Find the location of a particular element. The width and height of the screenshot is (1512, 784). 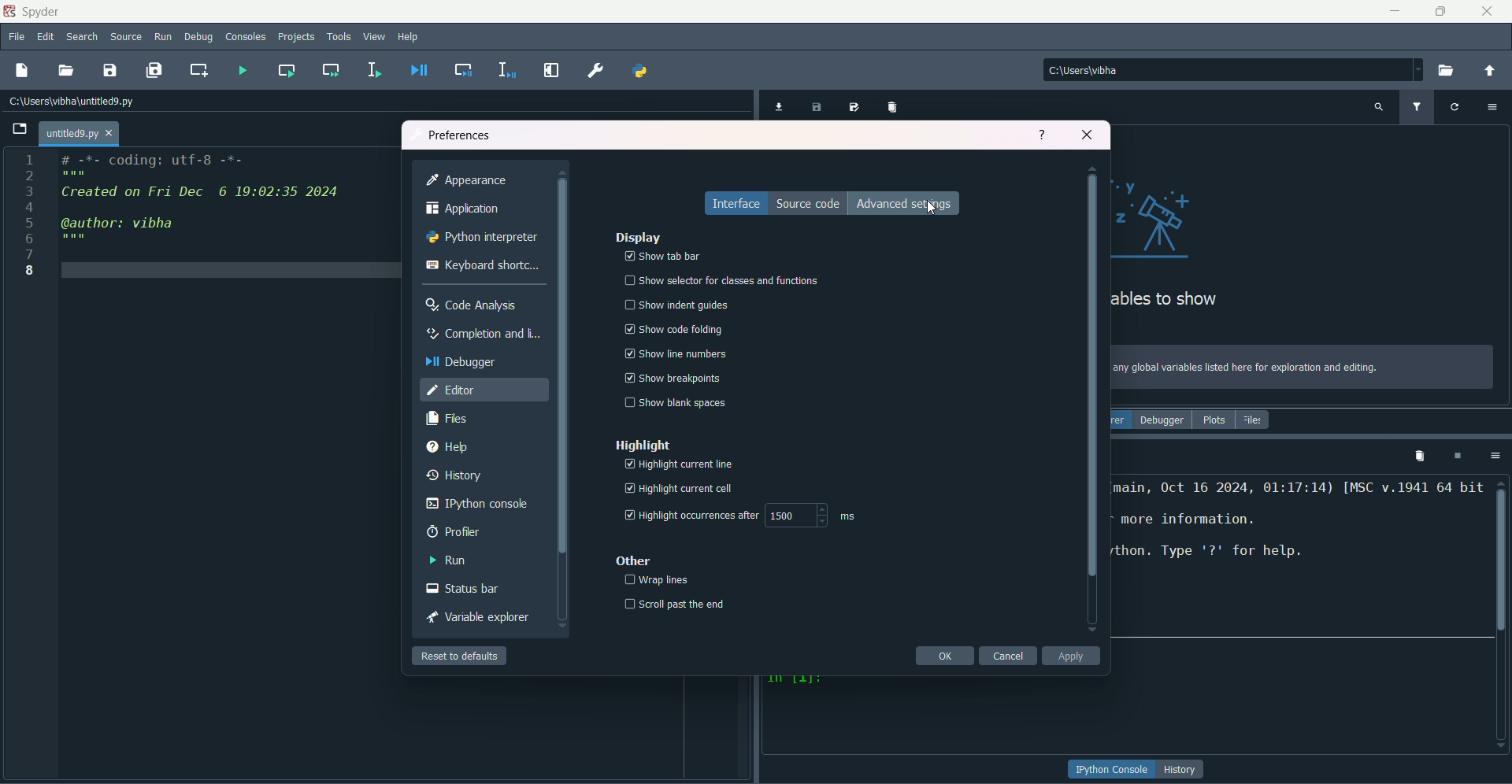

remove all variables is located at coordinates (895, 106).